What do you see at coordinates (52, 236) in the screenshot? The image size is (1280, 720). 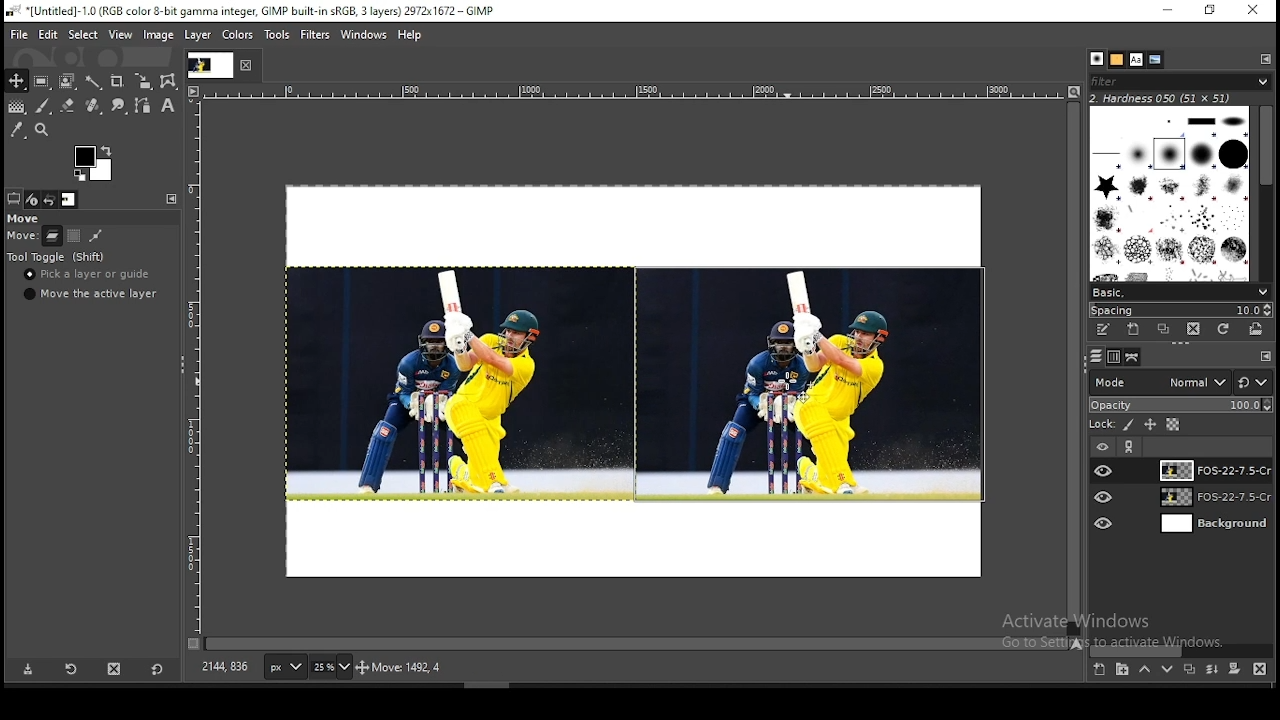 I see `move layer` at bounding box center [52, 236].